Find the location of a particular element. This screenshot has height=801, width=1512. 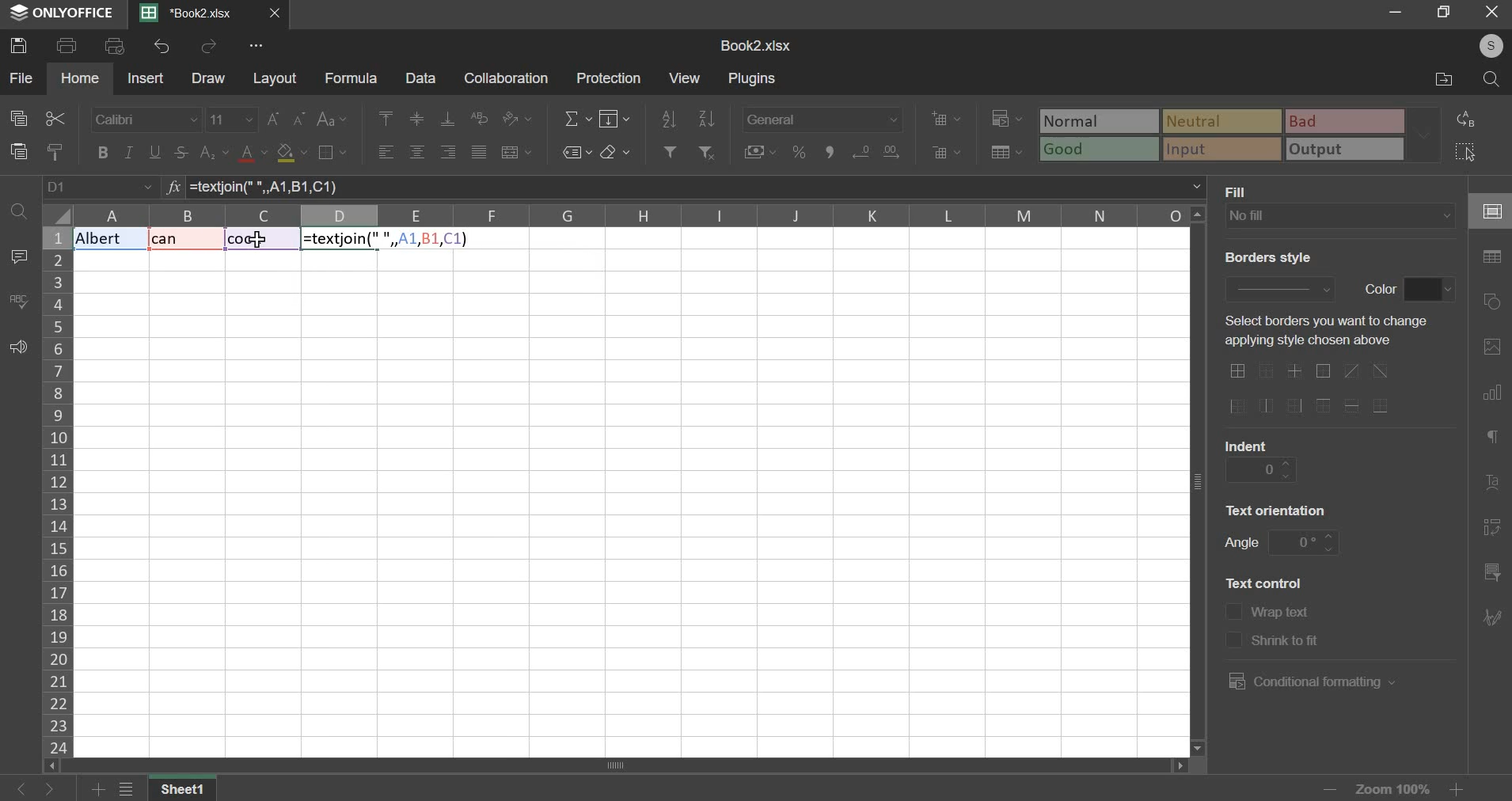

text is located at coordinates (1287, 643).